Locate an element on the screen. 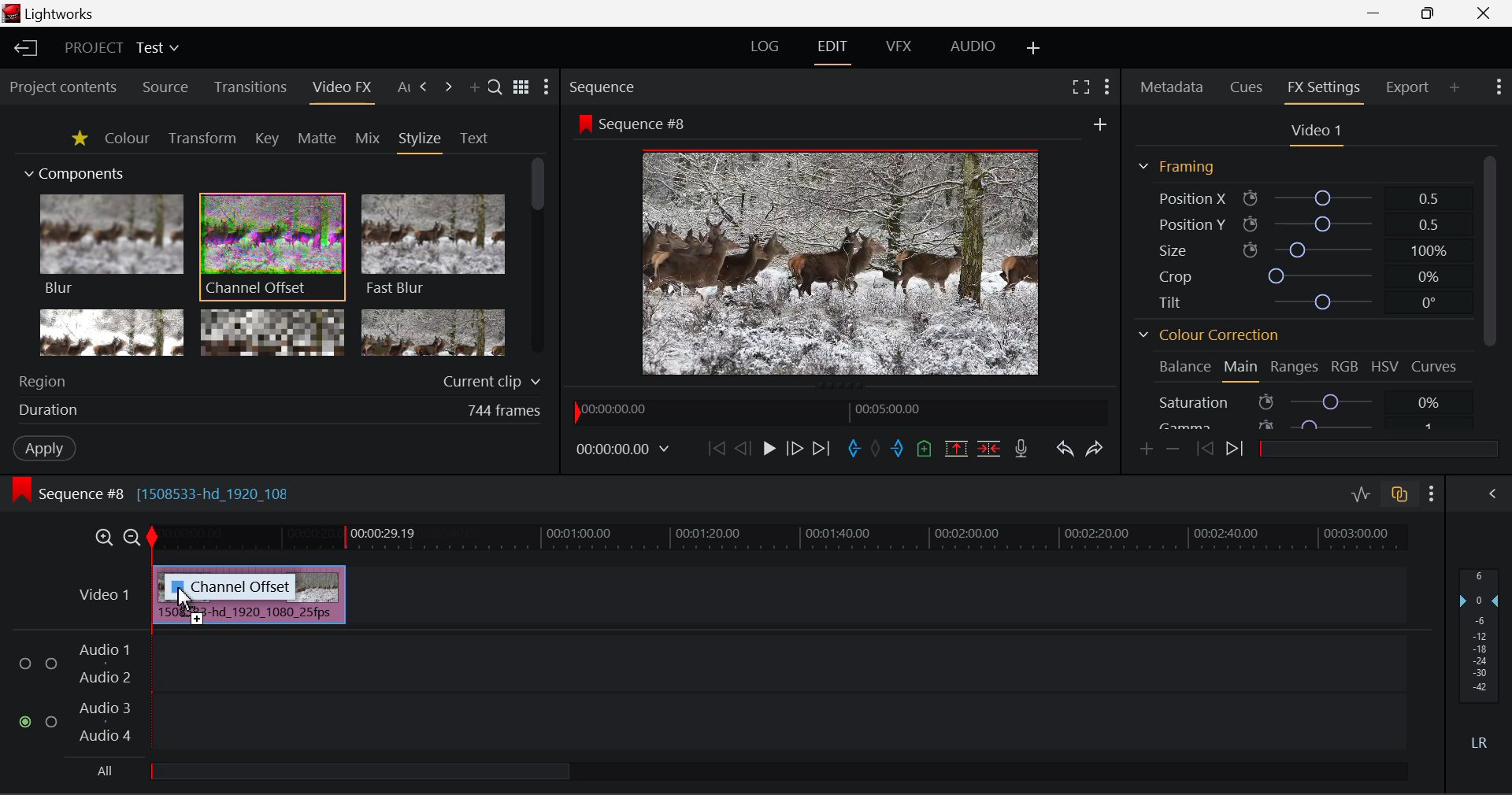 This screenshot has height=795, width=1512. Window Title is located at coordinates (60, 14).